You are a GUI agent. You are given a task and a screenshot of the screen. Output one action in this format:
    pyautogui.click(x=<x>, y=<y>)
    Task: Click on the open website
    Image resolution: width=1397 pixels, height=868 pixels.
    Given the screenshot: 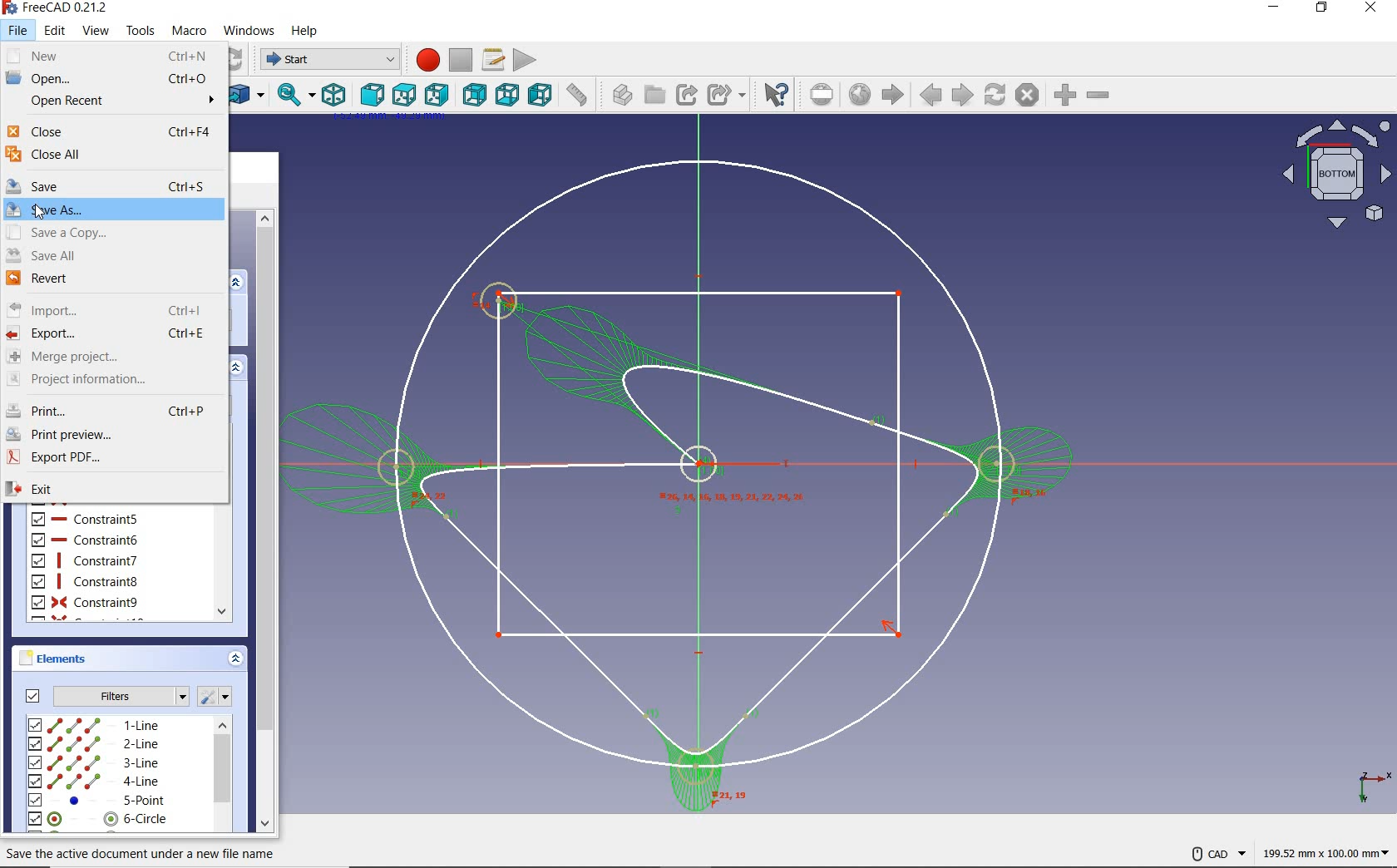 What is the action you would take?
    pyautogui.click(x=861, y=96)
    